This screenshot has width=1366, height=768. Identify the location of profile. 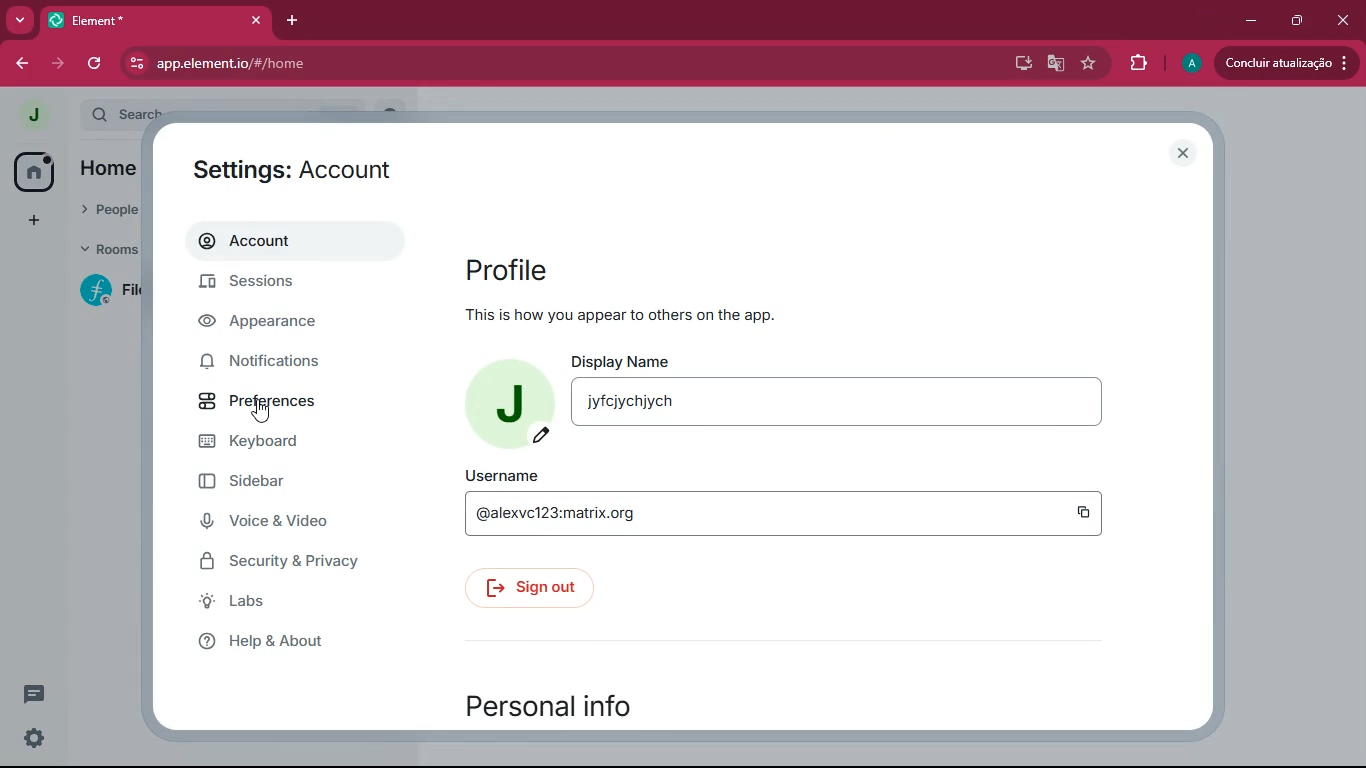
(530, 271).